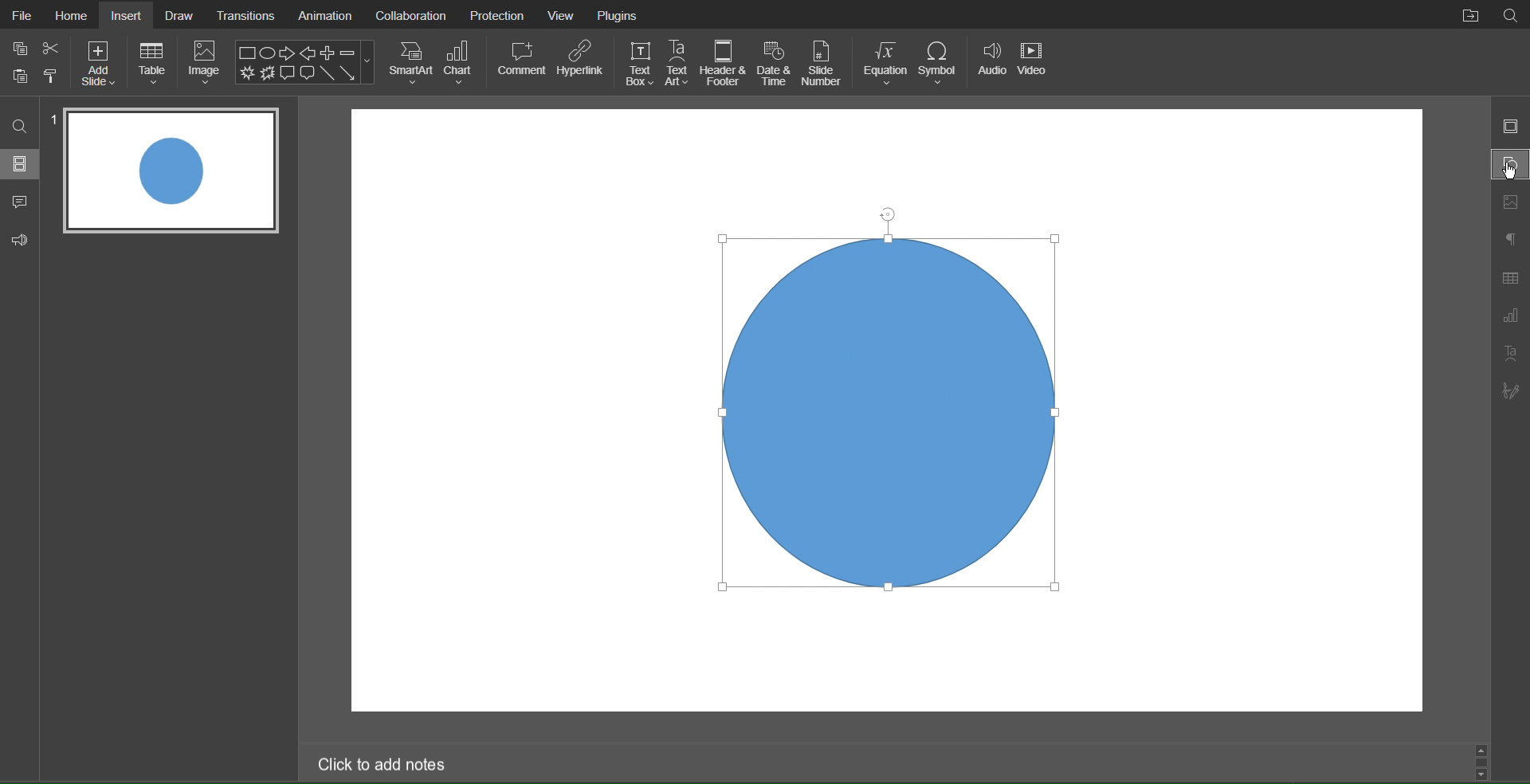  Describe the element at coordinates (1037, 65) in the screenshot. I see `Video` at that location.